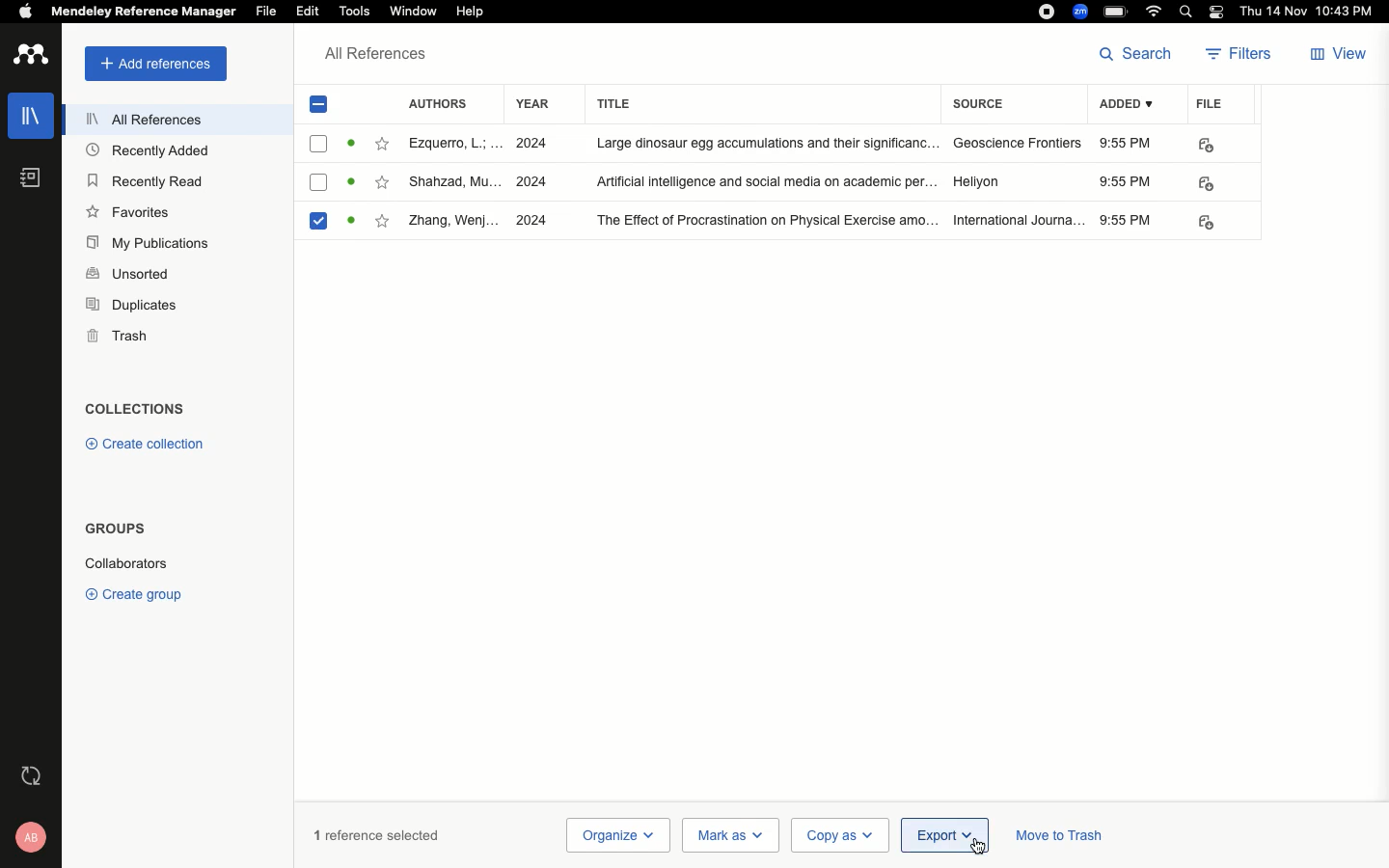  What do you see at coordinates (1336, 56) in the screenshot?
I see `View` at bounding box center [1336, 56].